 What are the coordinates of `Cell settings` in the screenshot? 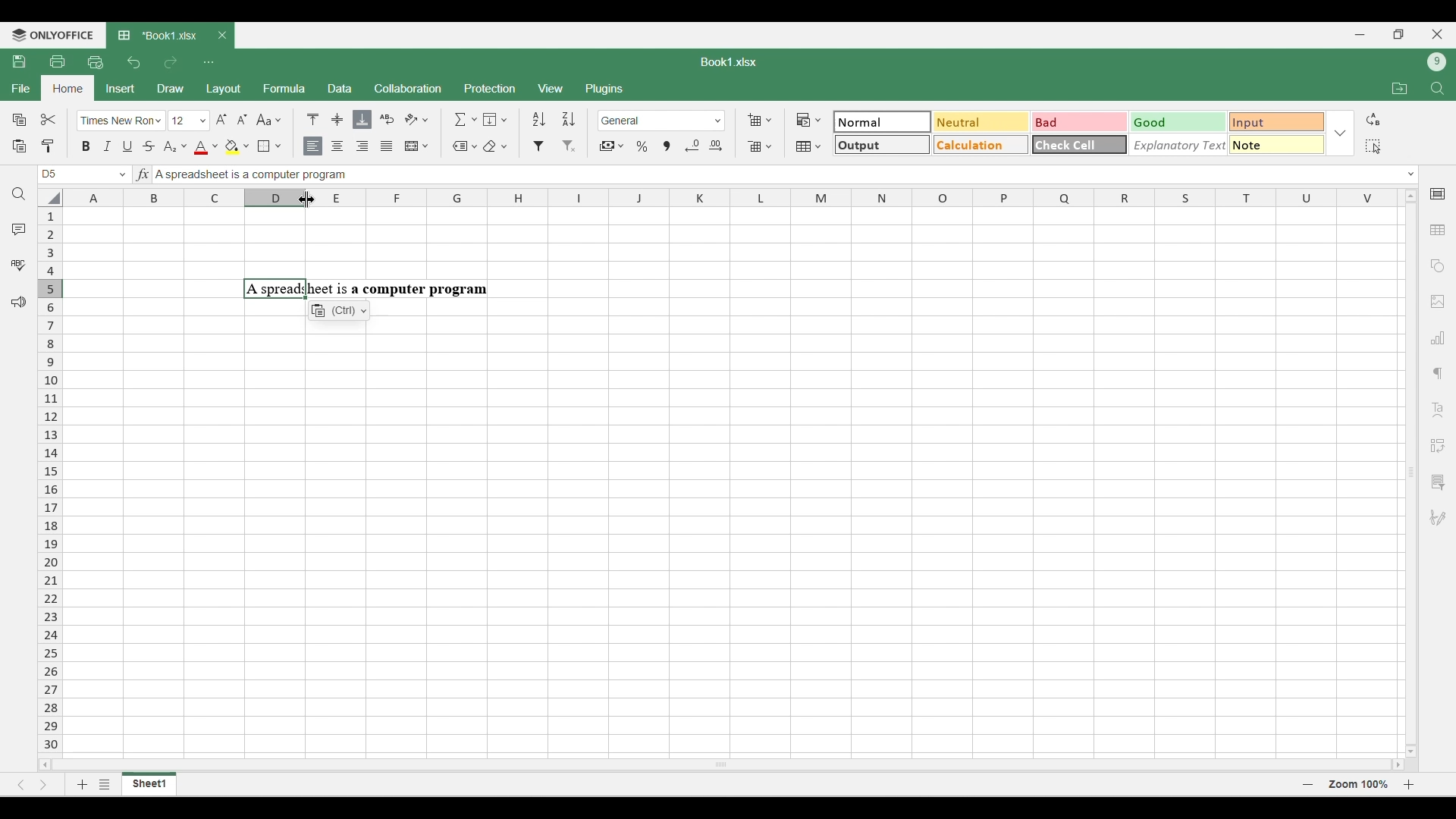 It's located at (1439, 194).